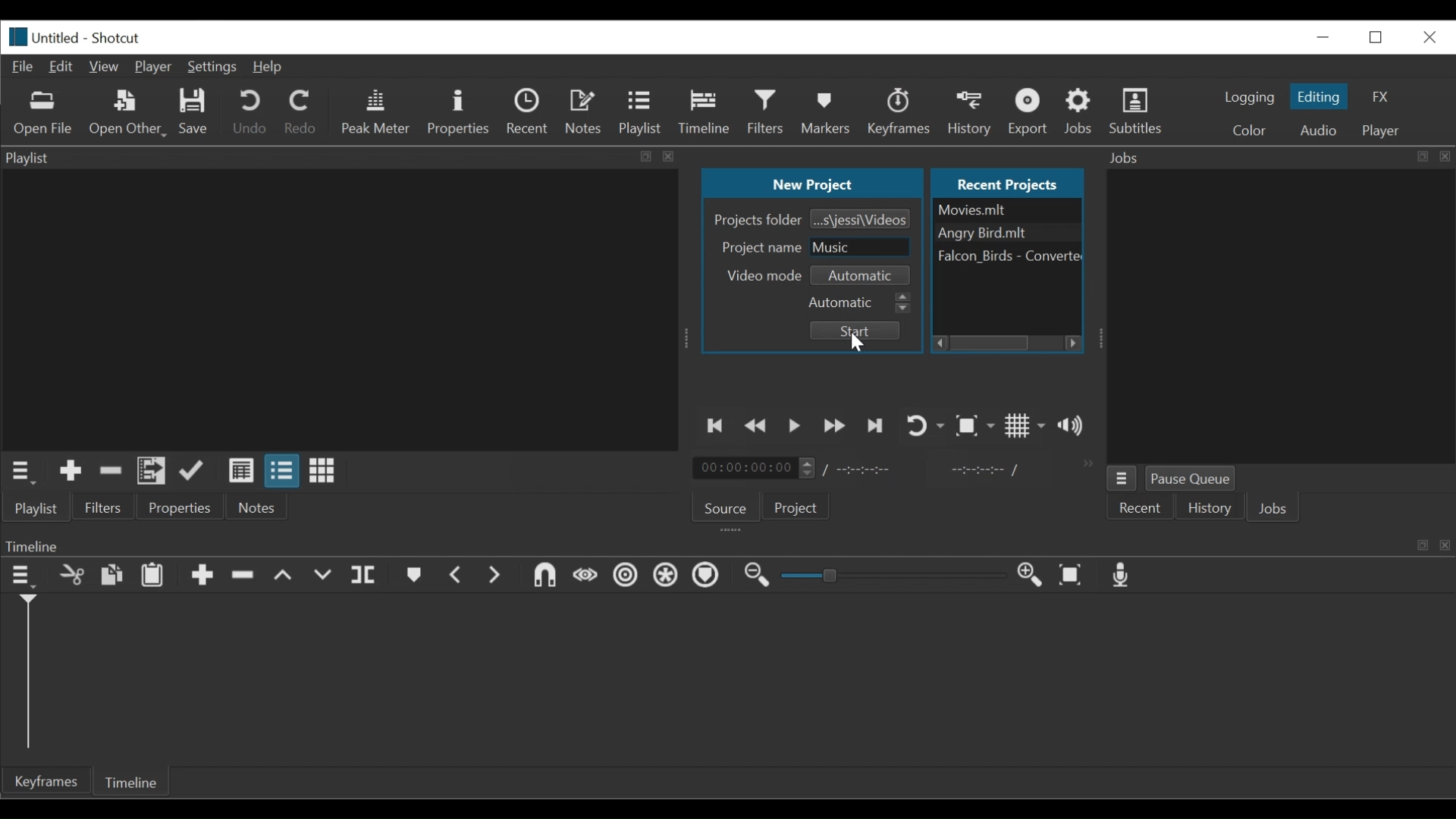 Image resolution: width=1456 pixels, height=819 pixels. I want to click on Scrub while dragging, so click(585, 577).